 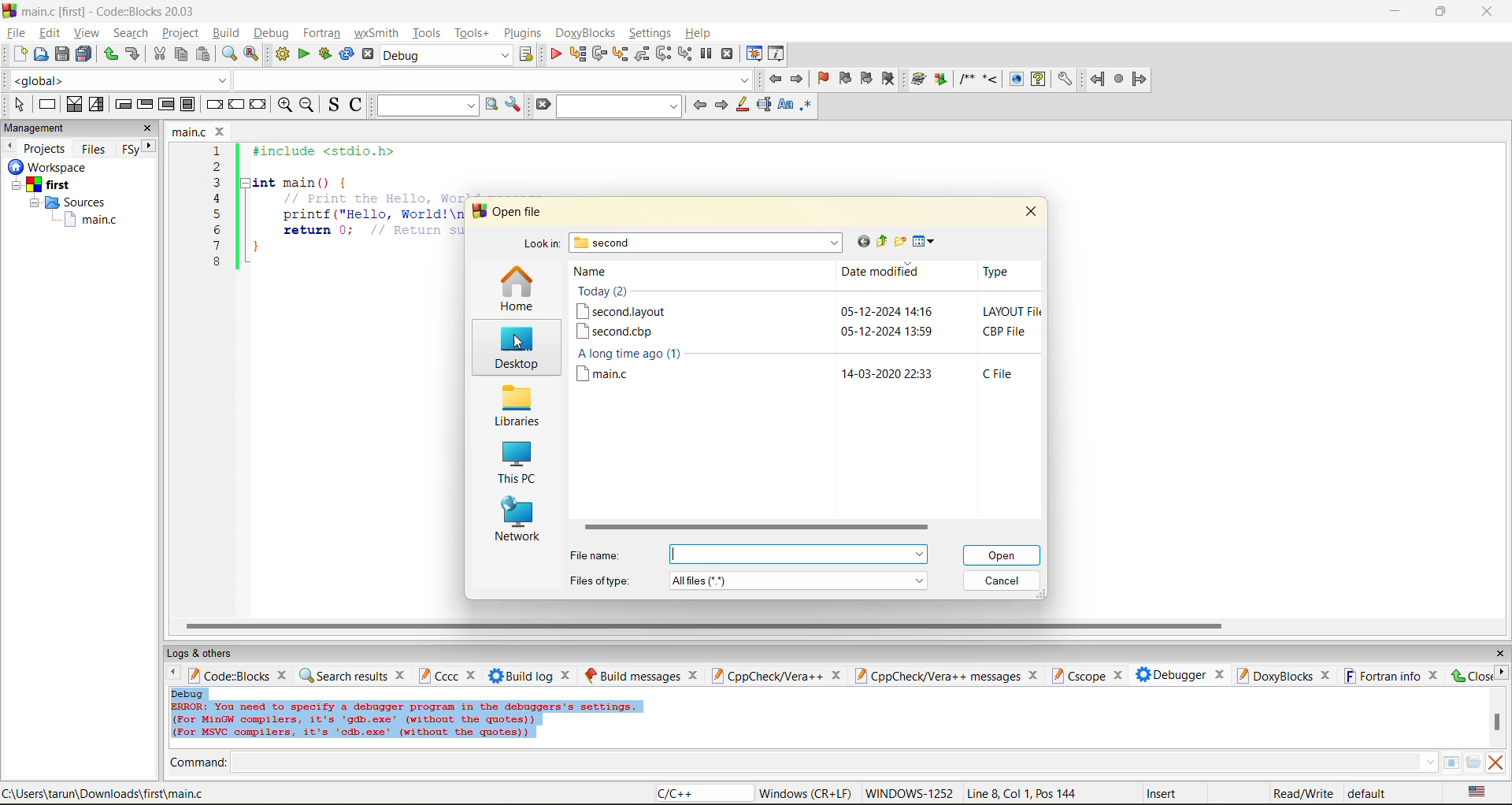 I want to click on home, so click(x=517, y=290).